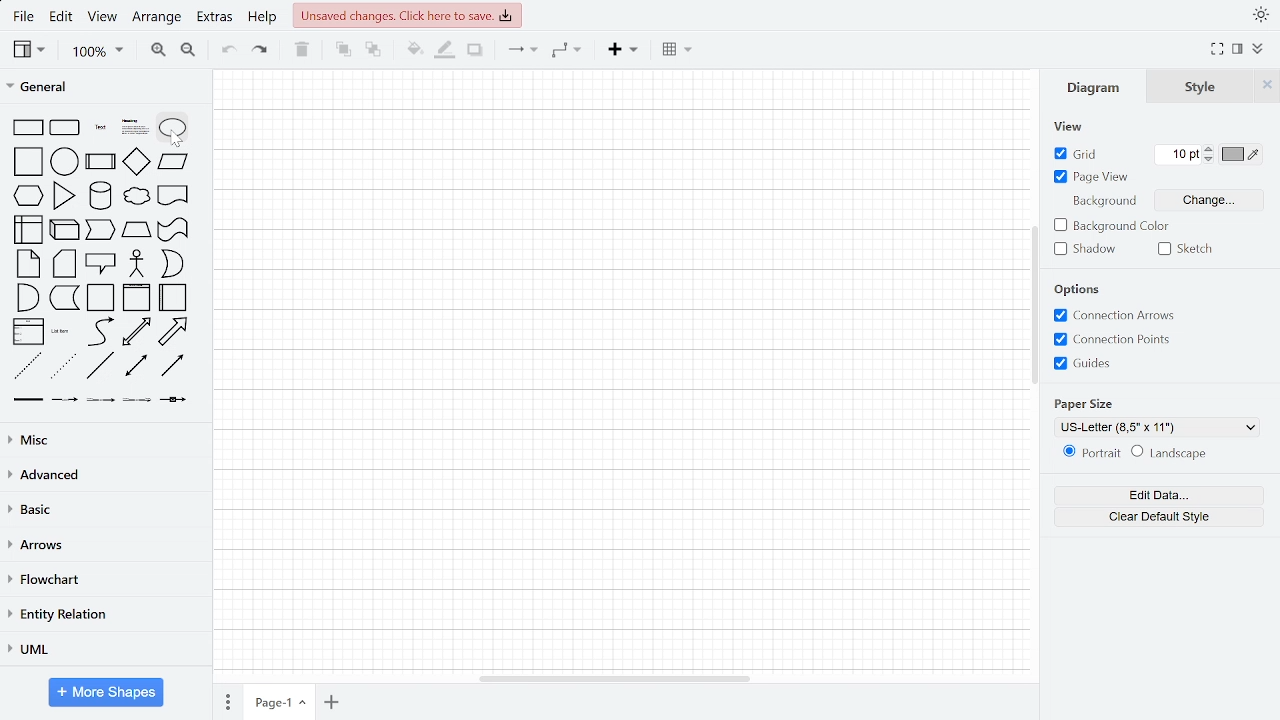 This screenshot has width=1280, height=720. What do you see at coordinates (102, 512) in the screenshot?
I see `basice` at bounding box center [102, 512].